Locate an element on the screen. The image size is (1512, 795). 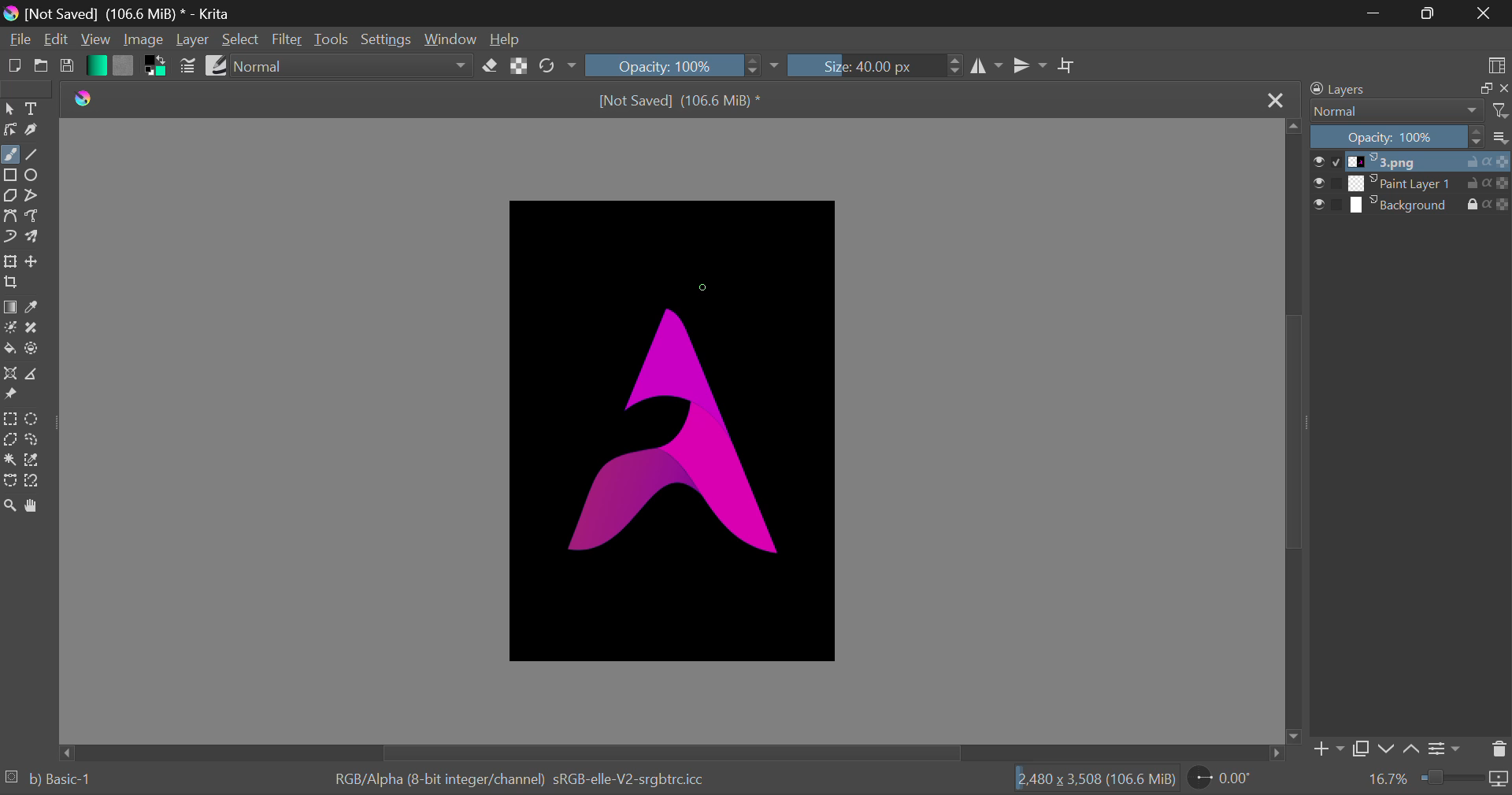
Calligraphic Tool is located at coordinates (33, 131).